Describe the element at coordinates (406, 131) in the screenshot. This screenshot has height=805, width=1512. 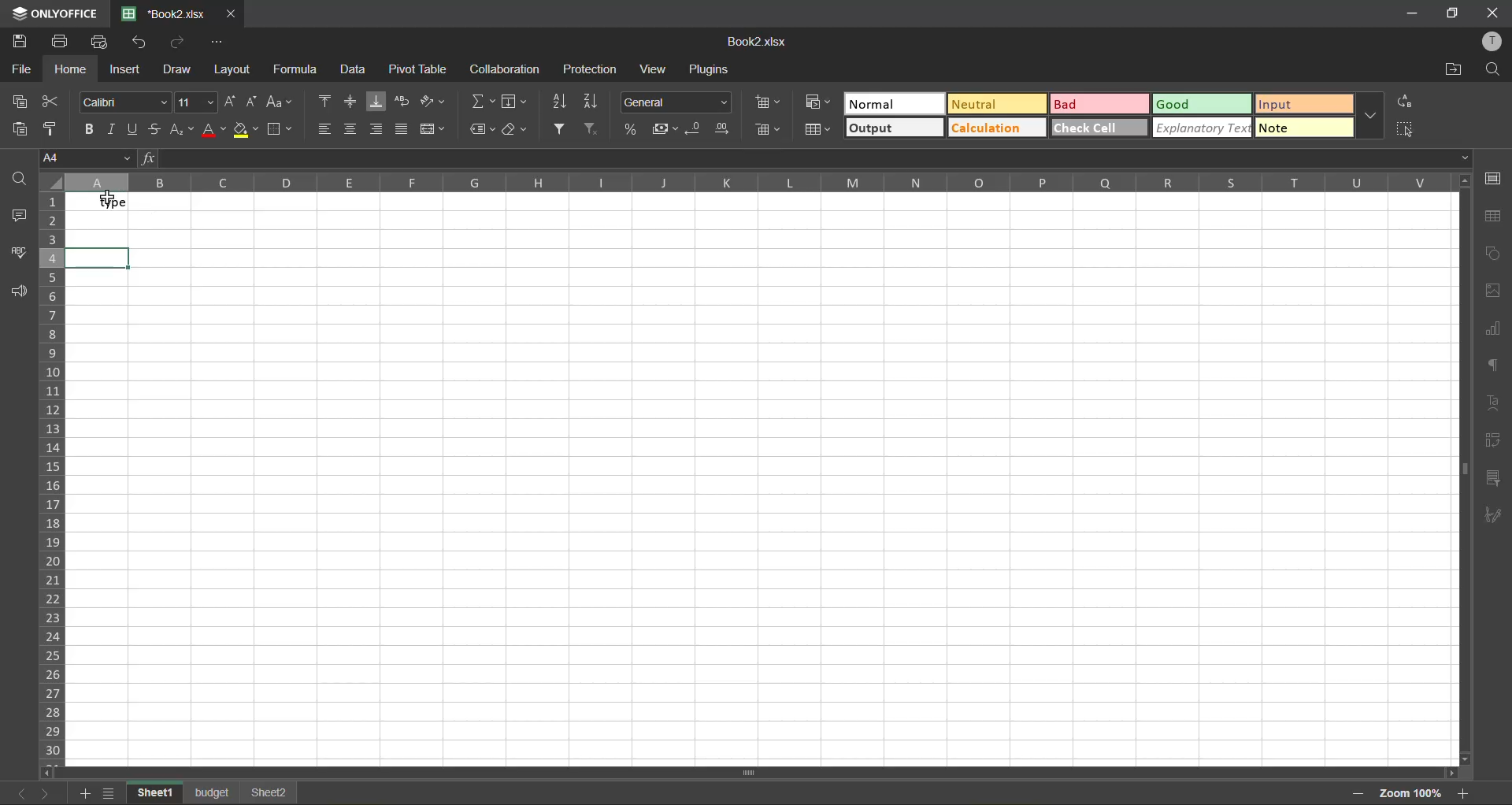
I see `justified` at that location.